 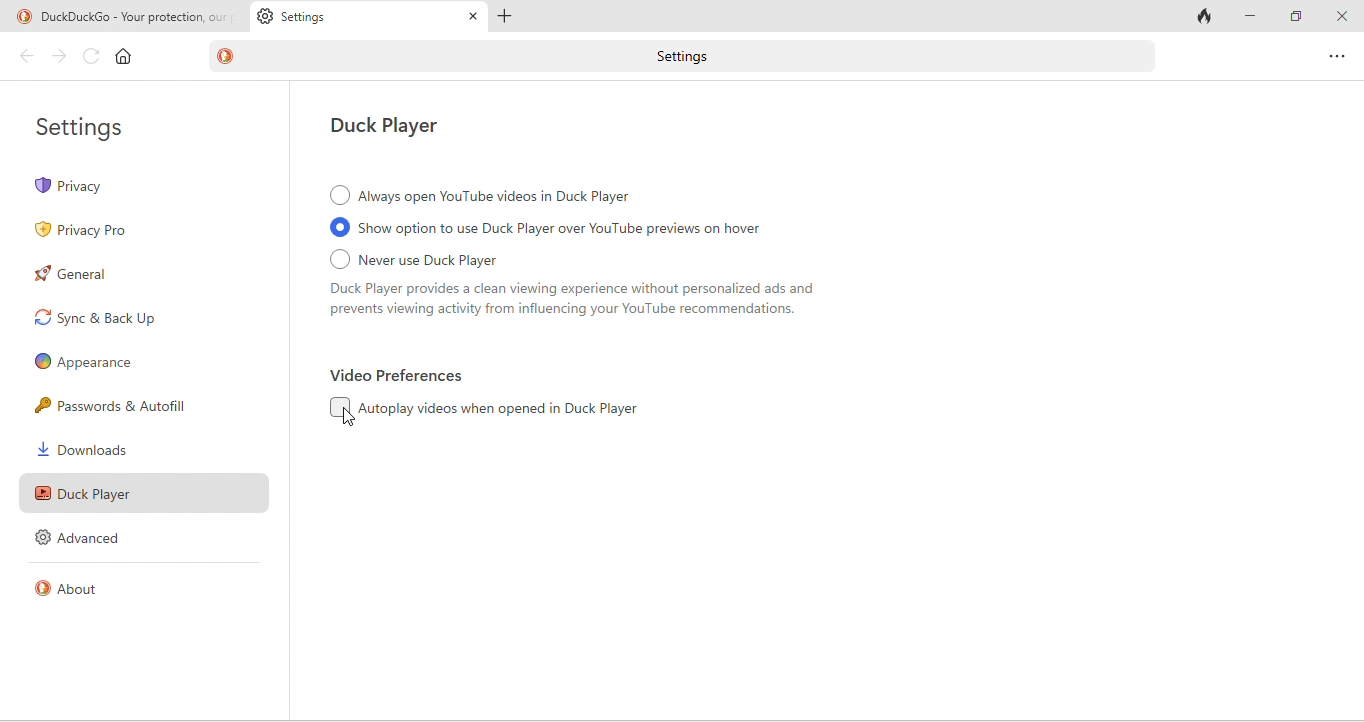 What do you see at coordinates (485, 195) in the screenshot?
I see `always open youtube videos on duckduckgo` at bounding box center [485, 195].